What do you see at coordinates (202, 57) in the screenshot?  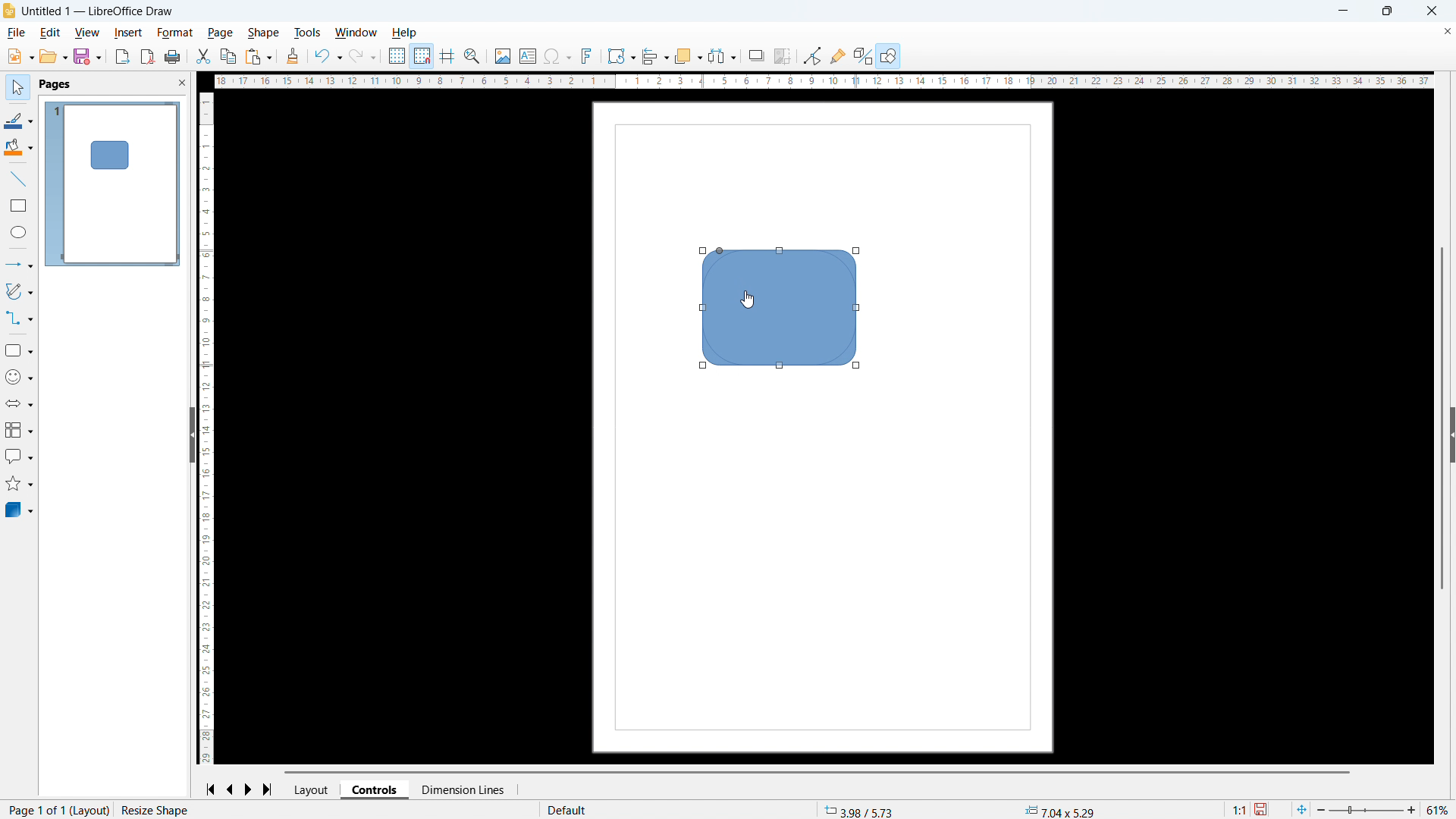 I see `cut ` at bounding box center [202, 57].